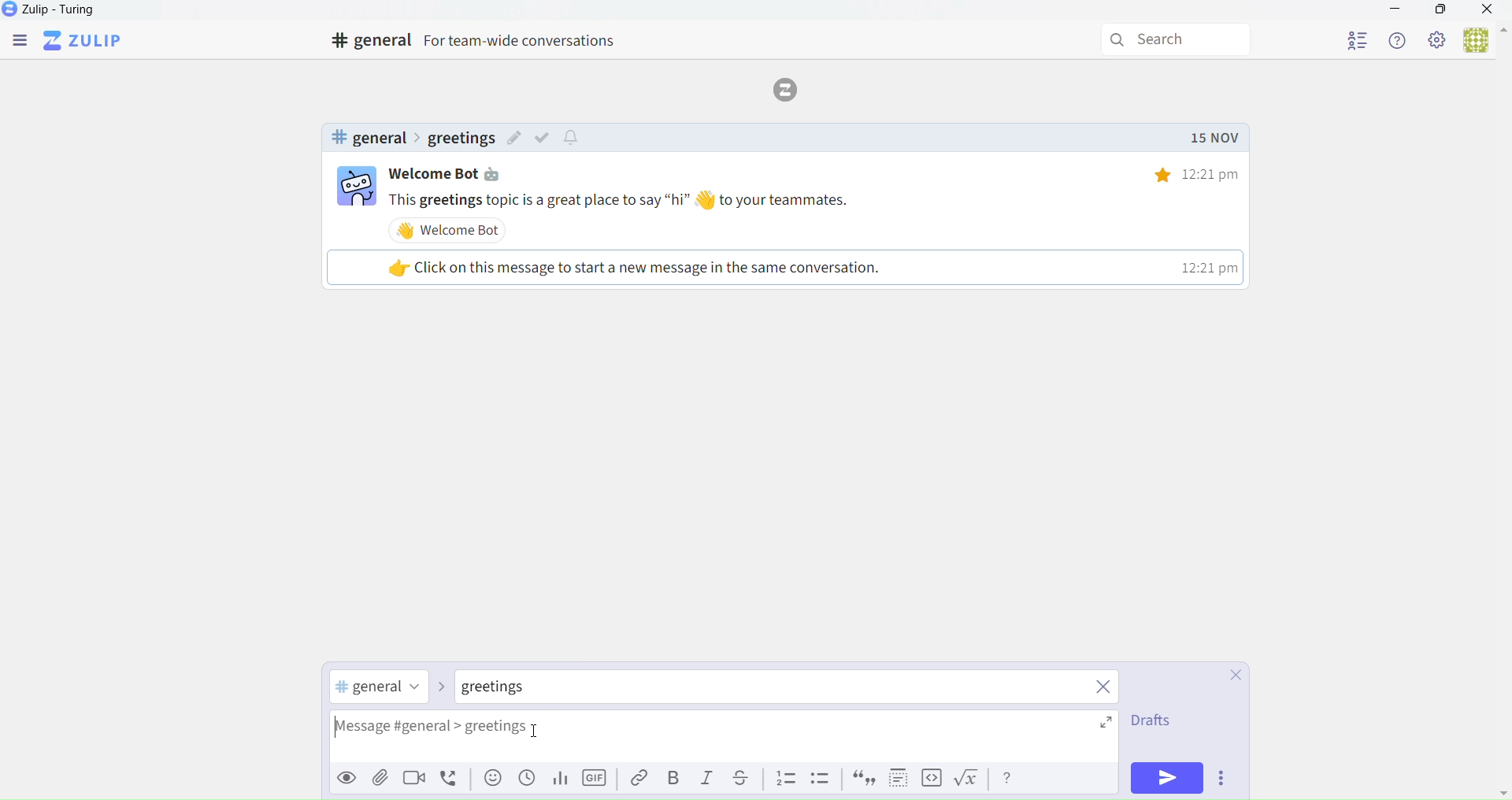  Describe the element at coordinates (747, 779) in the screenshot. I see `Underline` at that location.